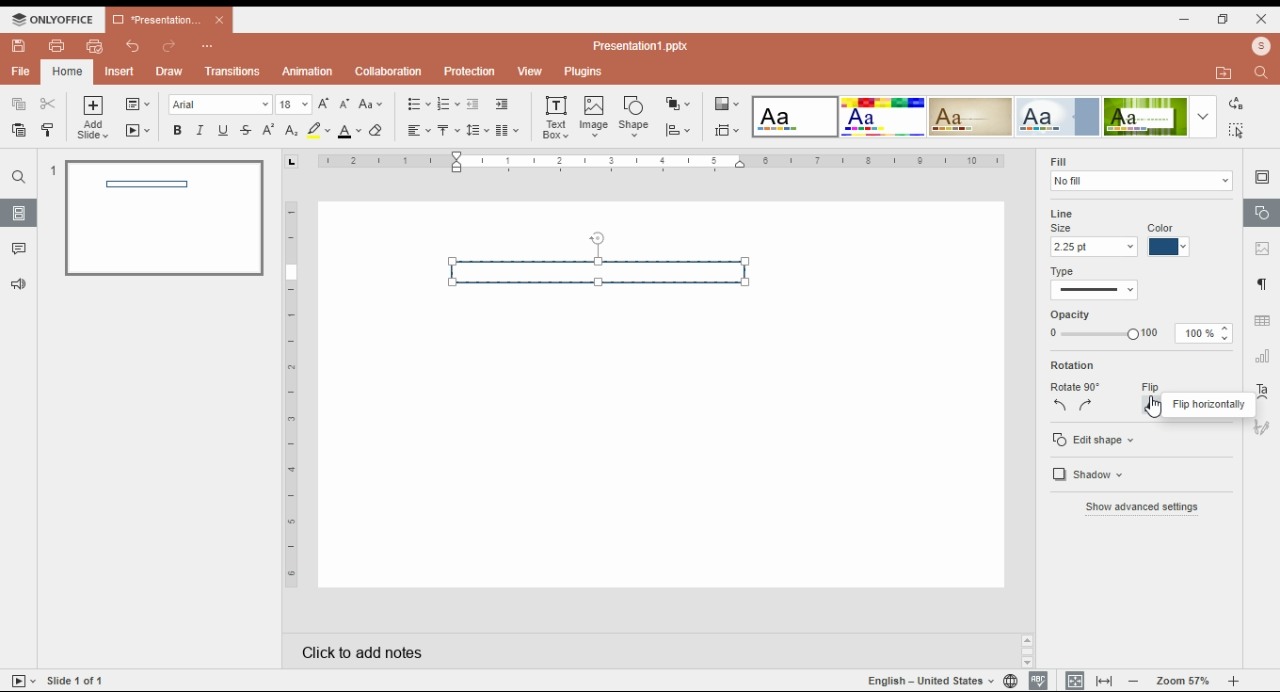 Image resolution: width=1280 pixels, height=692 pixels. What do you see at coordinates (1086, 405) in the screenshot?
I see `rotate 90 clockwise` at bounding box center [1086, 405].